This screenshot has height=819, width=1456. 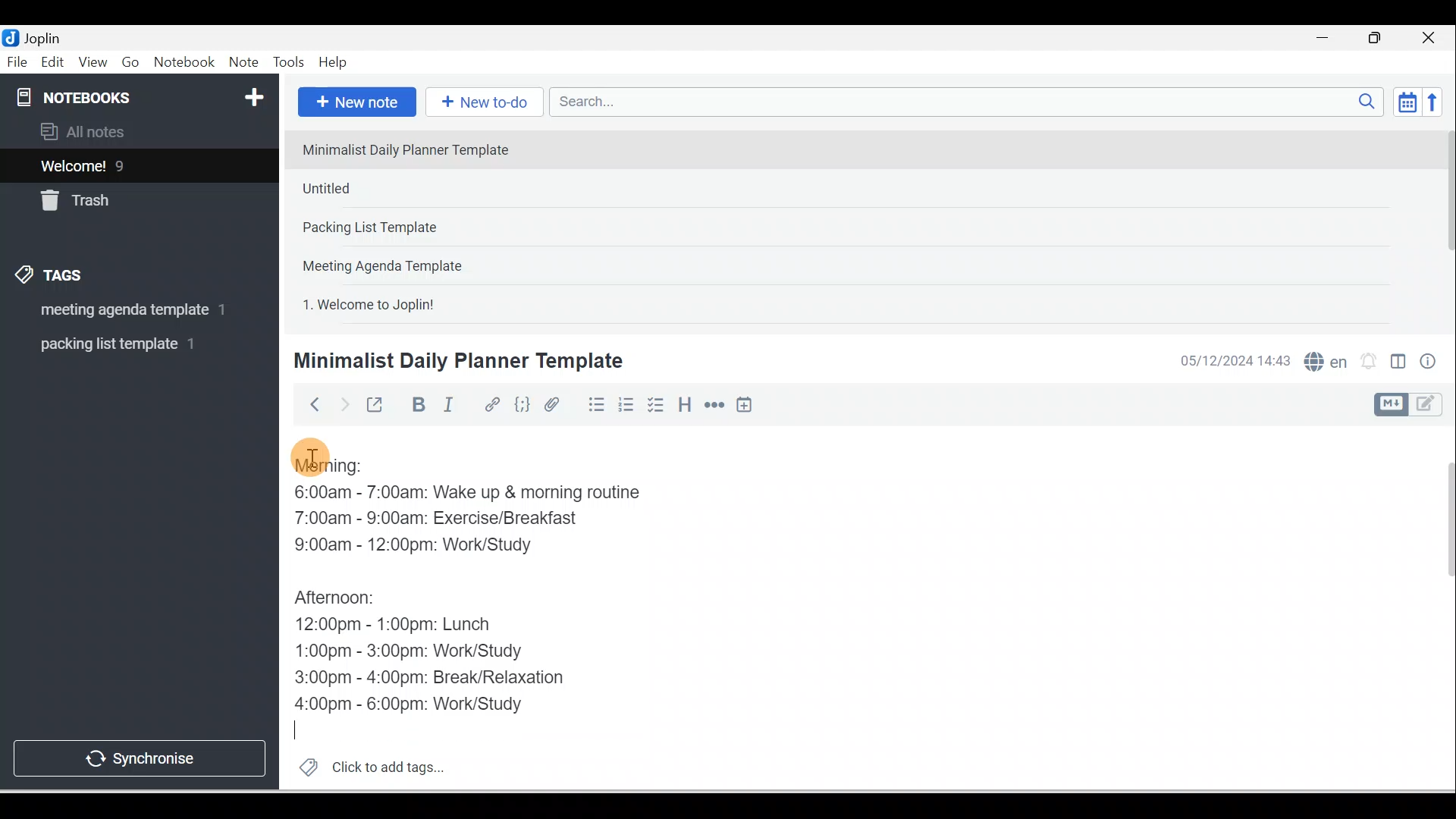 What do you see at coordinates (522, 406) in the screenshot?
I see `Code` at bounding box center [522, 406].